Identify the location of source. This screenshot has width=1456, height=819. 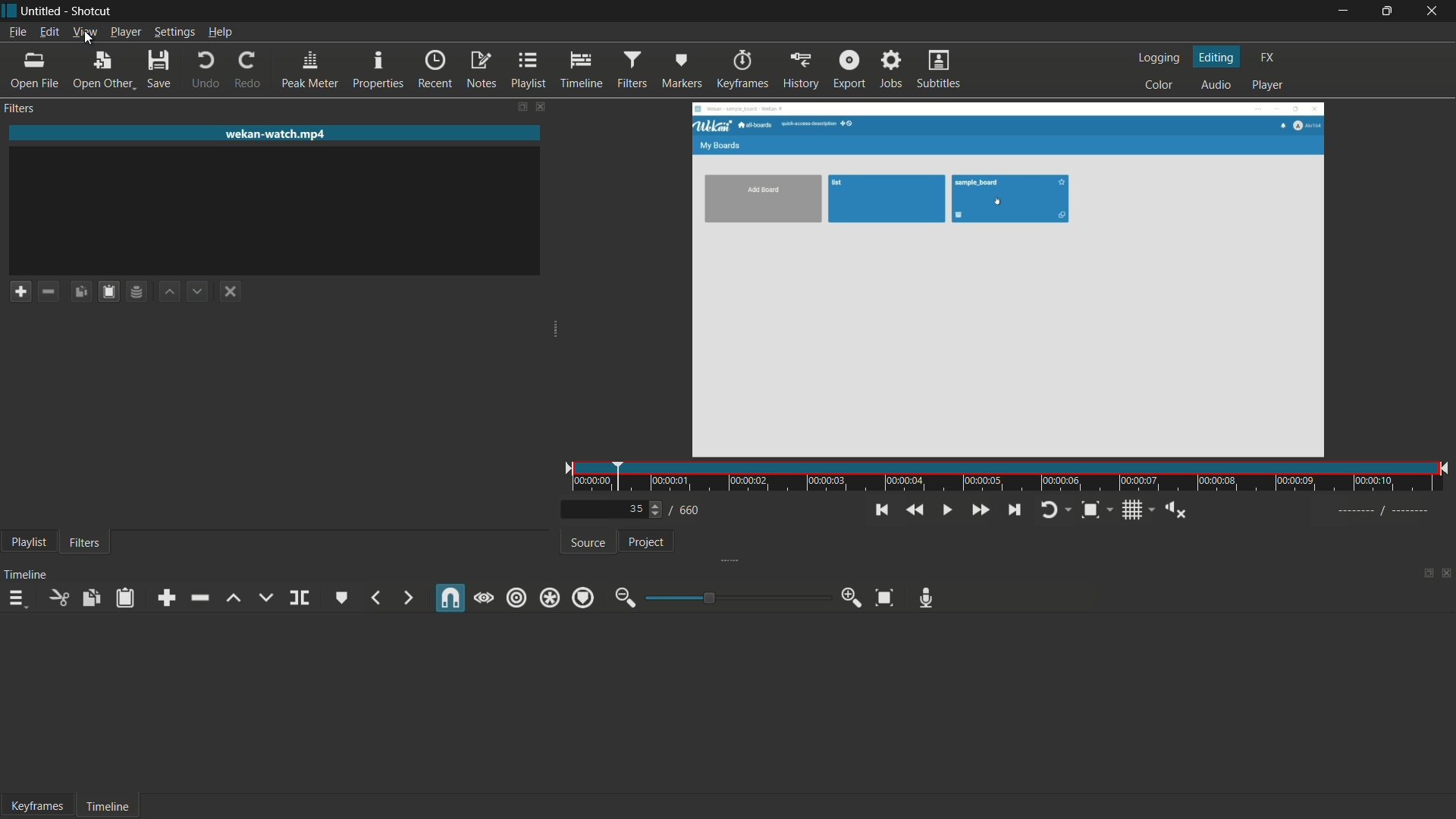
(589, 543).